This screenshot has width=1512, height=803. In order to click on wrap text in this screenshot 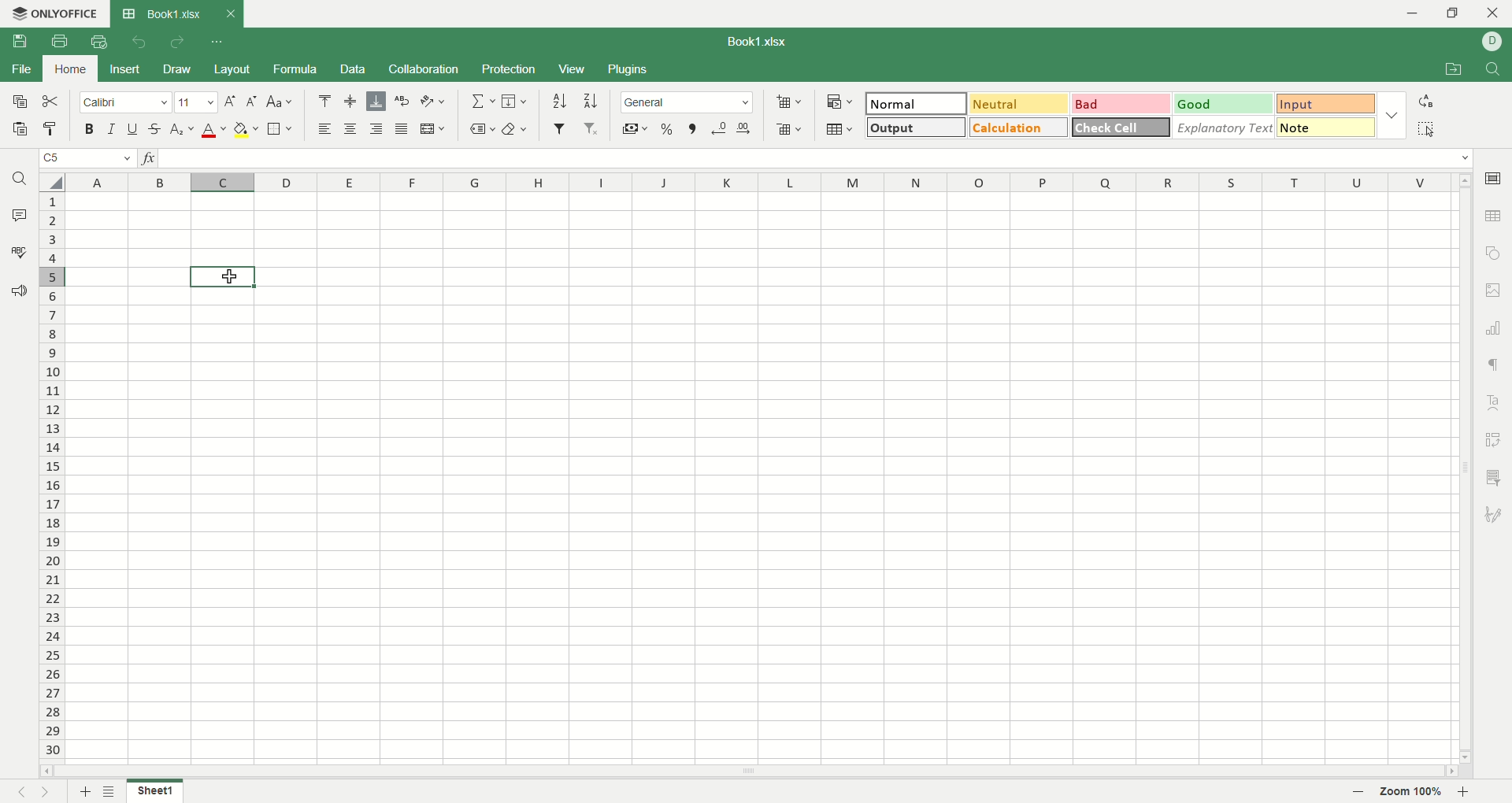, I will do `click(403, 101)`.